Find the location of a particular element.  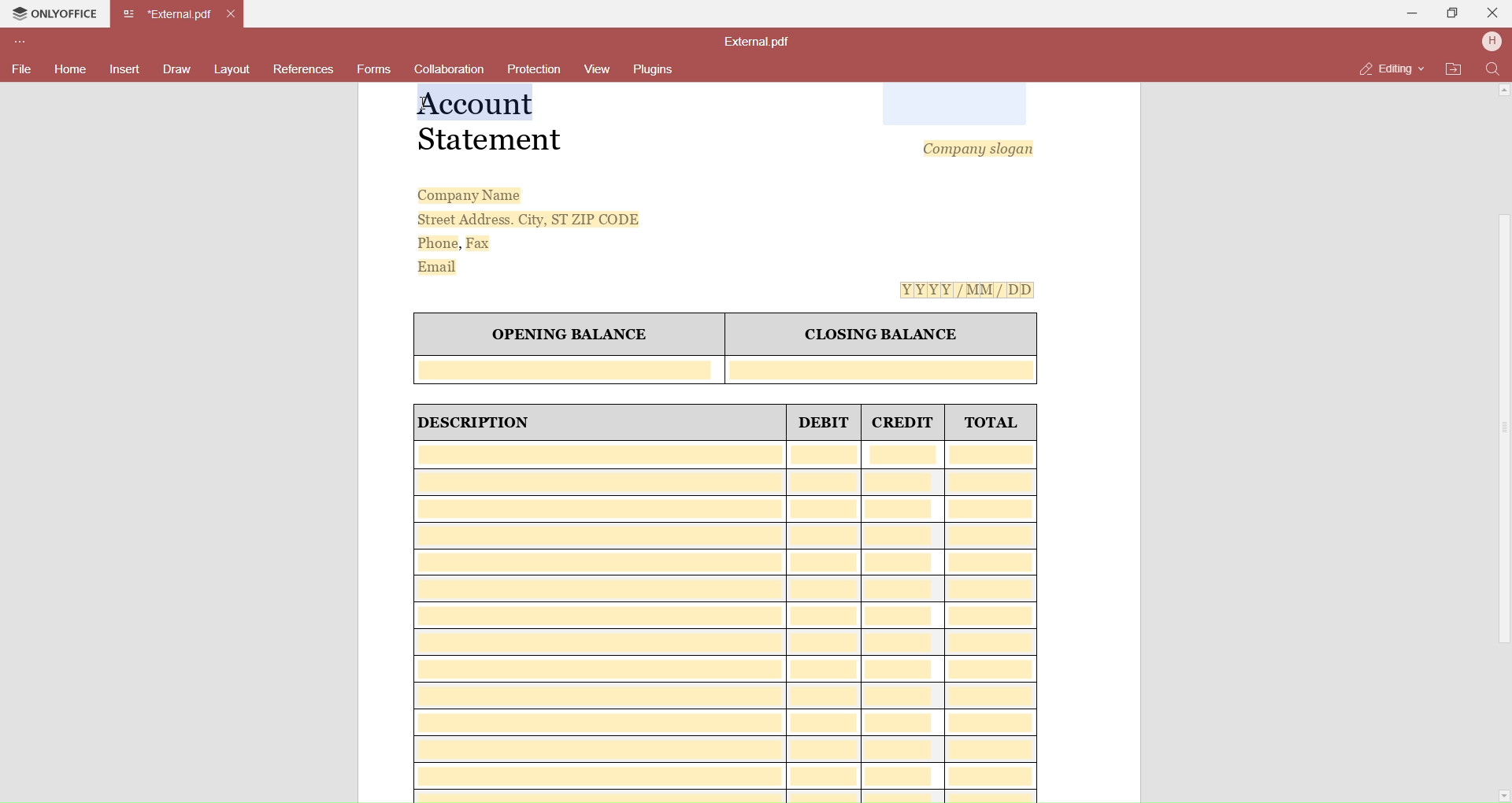

Home is located at coordinates (72, 71).